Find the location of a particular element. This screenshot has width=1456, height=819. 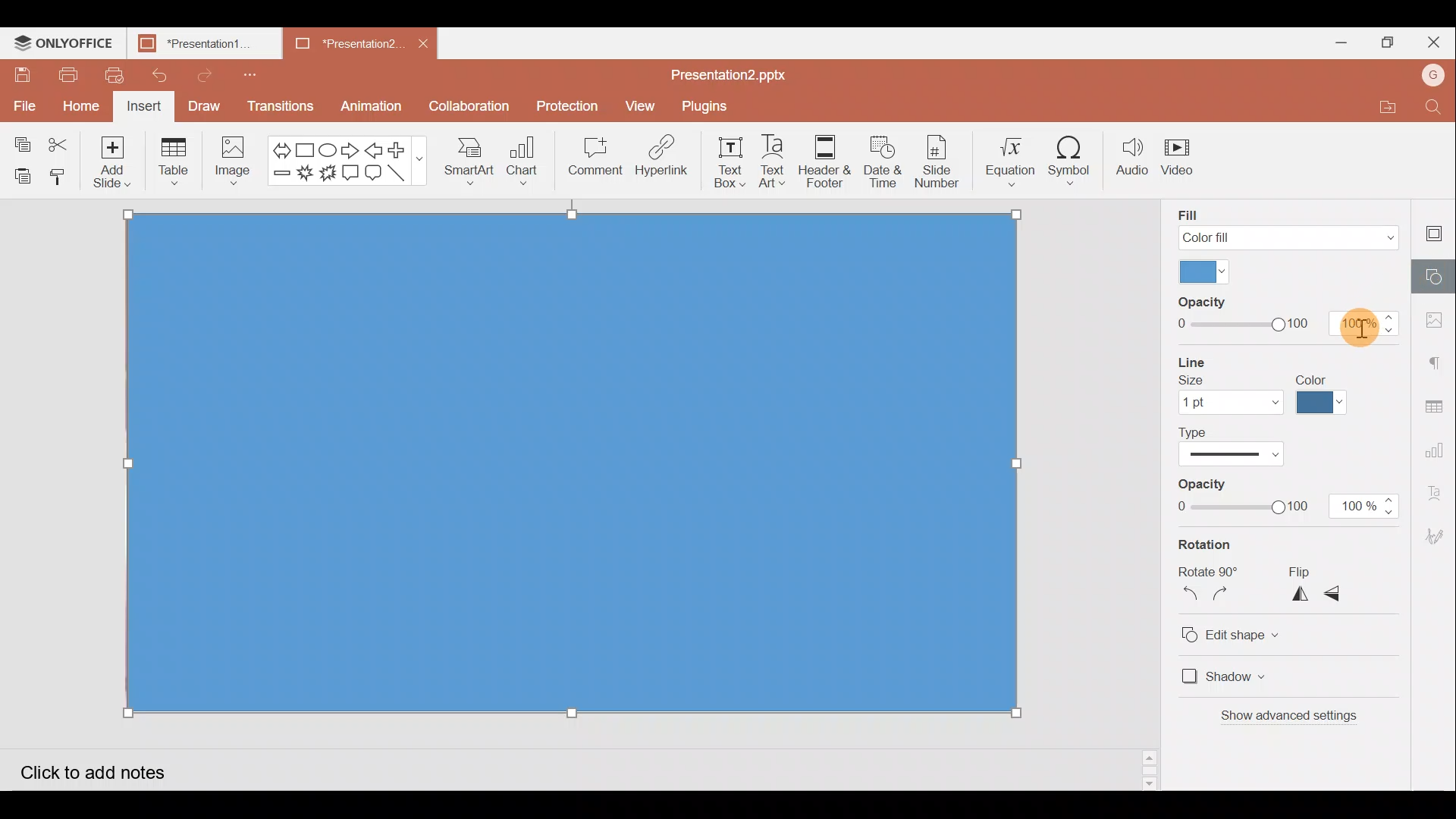

Line type is located at coordinates (1239, 447).